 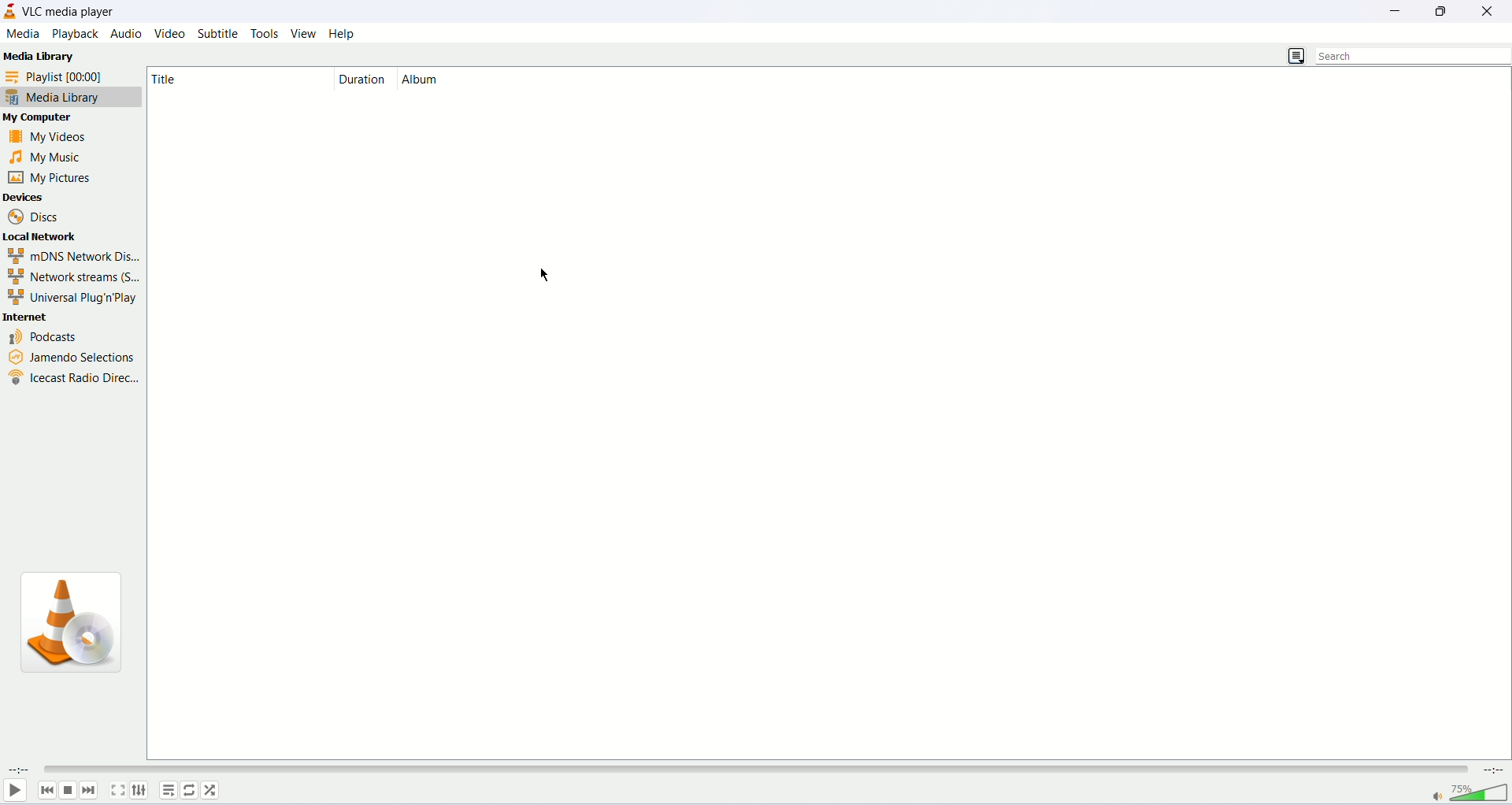 What do you see at coordinates (1410, 56) in the screenshot?
I see `search` at bounding box center [1410, 56].